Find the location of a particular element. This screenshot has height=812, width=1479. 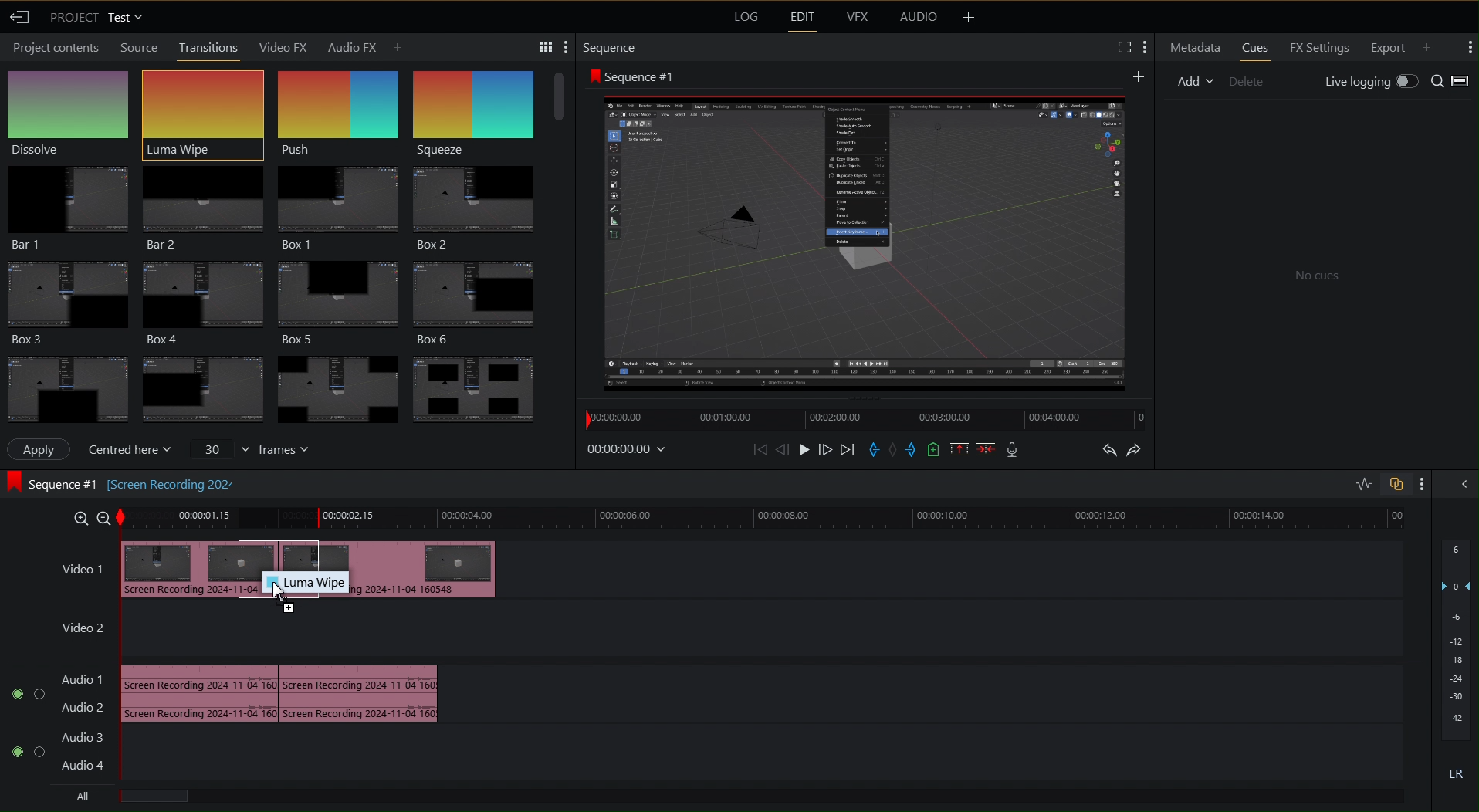

Luma Wipe is located at coordinates (304, 583).